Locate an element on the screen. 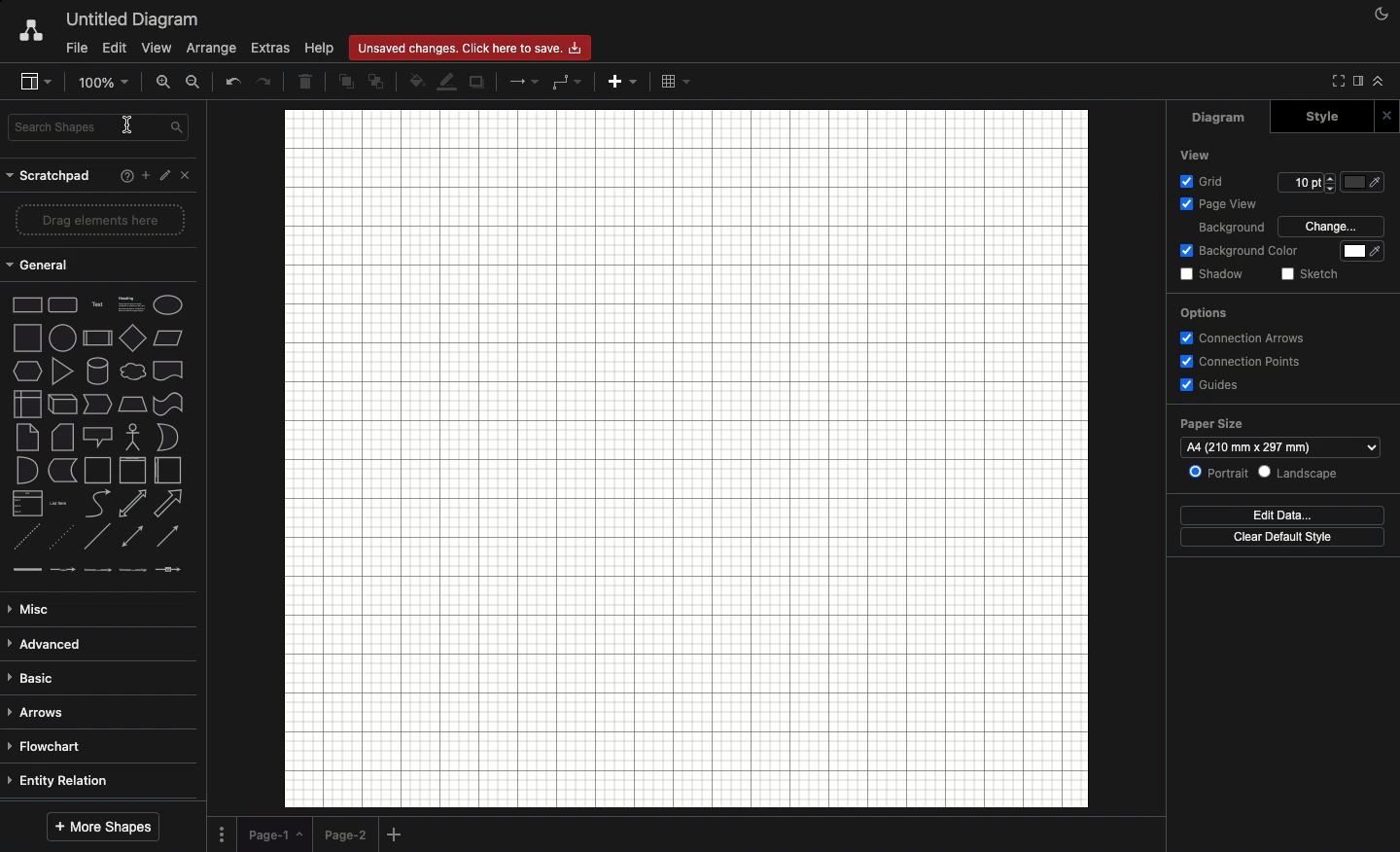 The height and width of the screenshot is (852, 1400). Fill color is located at coordinates (417, 83).